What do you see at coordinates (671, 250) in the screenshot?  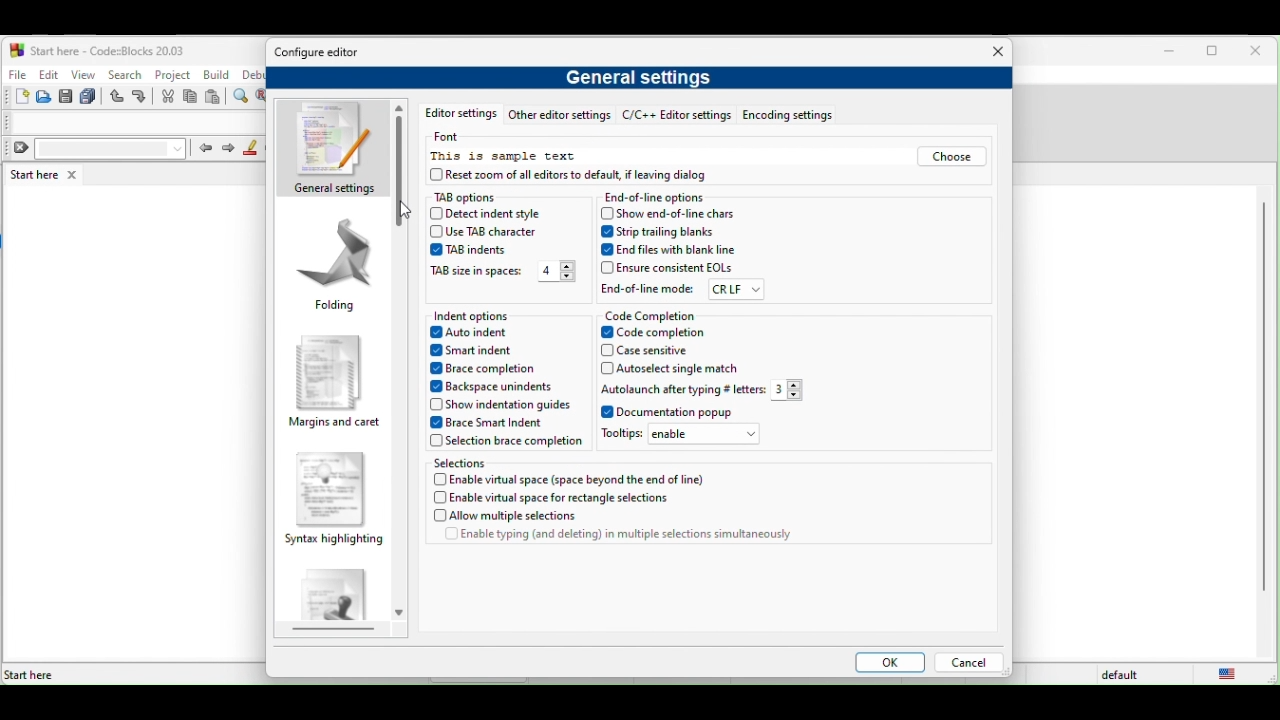 I see `end files with blank line` at bounding box center [671, 250].